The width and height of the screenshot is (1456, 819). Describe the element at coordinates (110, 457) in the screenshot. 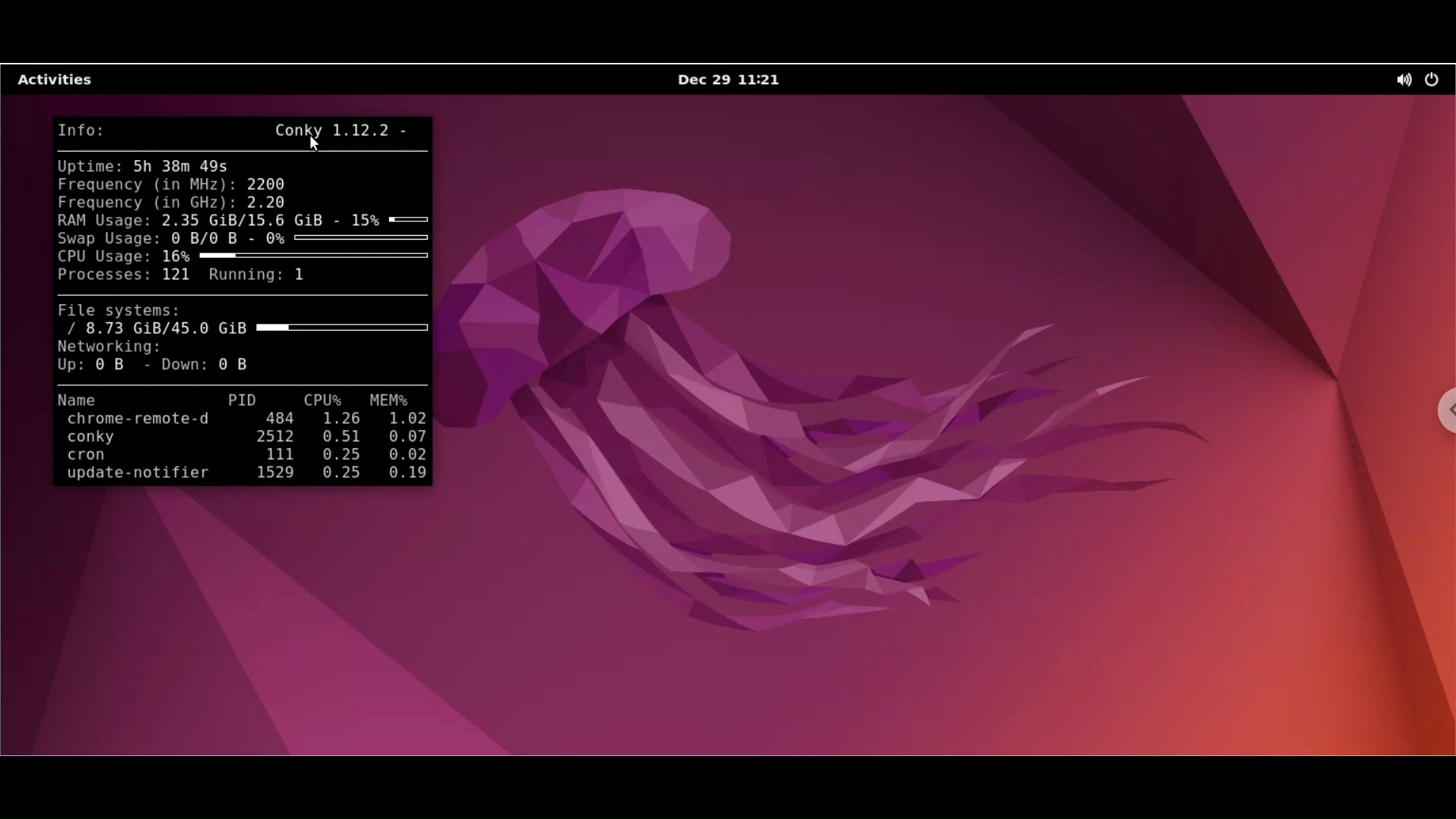

I see `cron` at that location.